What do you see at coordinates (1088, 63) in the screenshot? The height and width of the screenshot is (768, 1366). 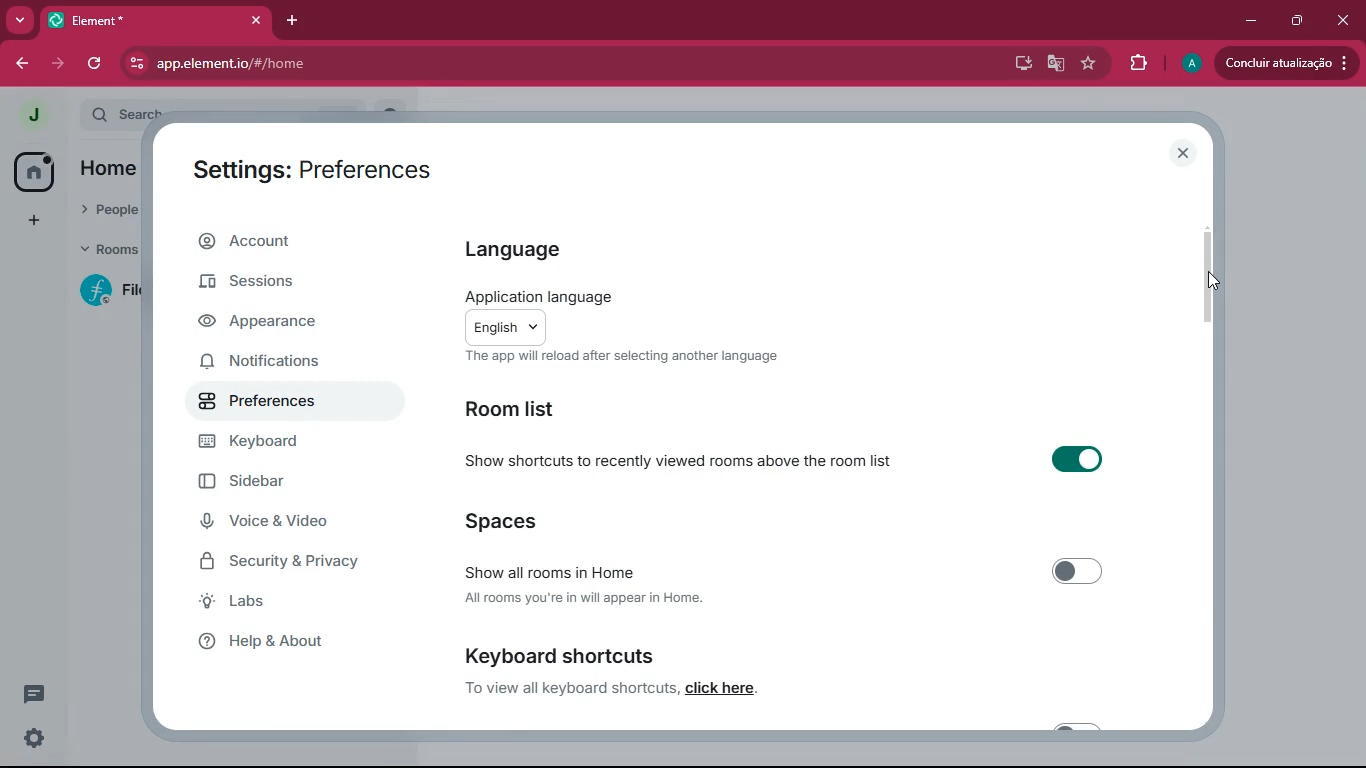 I see `favourite` at bounding box center [1088, 63].